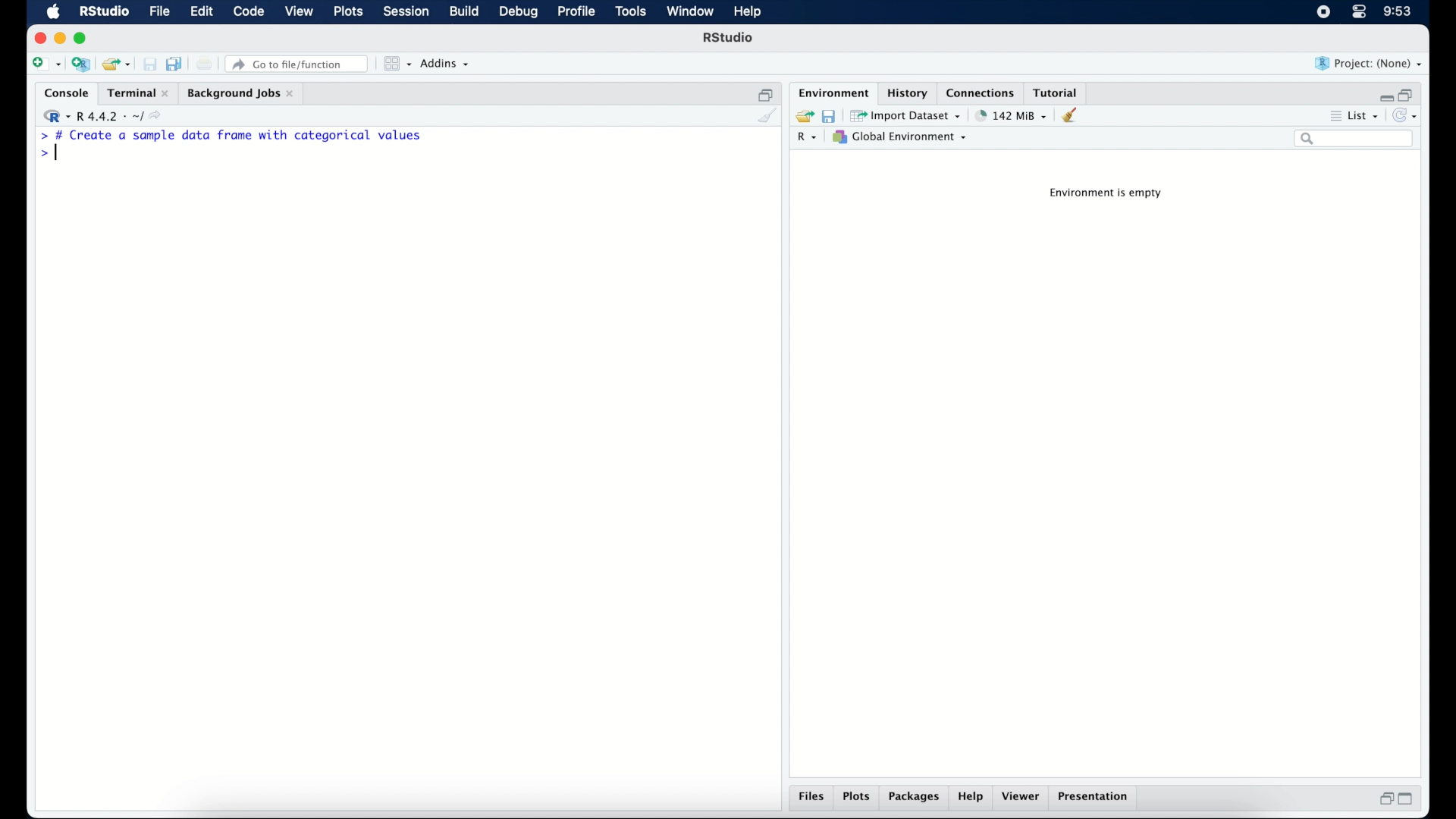  I want to click on create a project, so click(82, 64).